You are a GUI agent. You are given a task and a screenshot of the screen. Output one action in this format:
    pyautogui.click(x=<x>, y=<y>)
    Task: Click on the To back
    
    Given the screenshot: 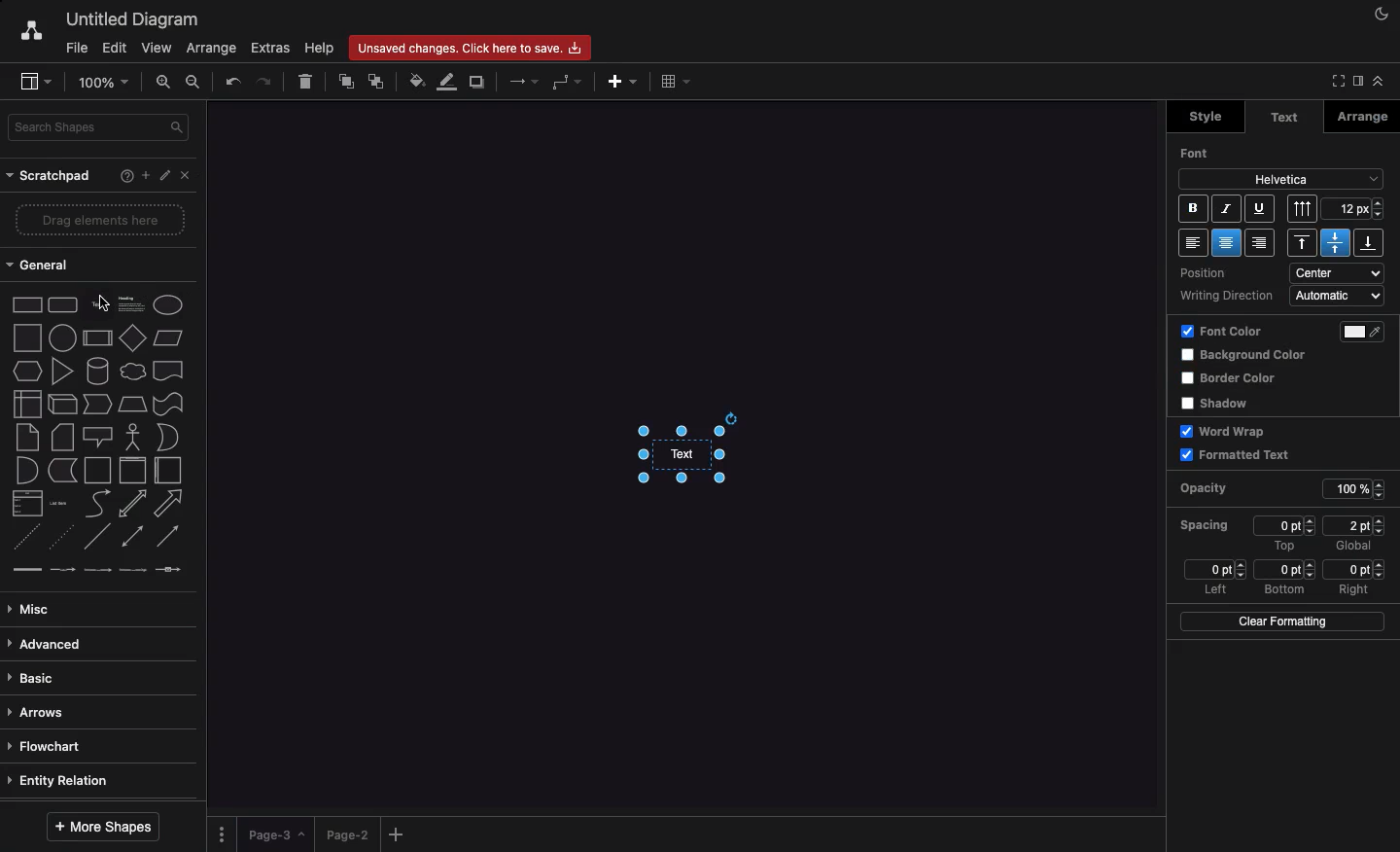 What is the action you would take?
    pyautogui.click(x=376, y=83)
    